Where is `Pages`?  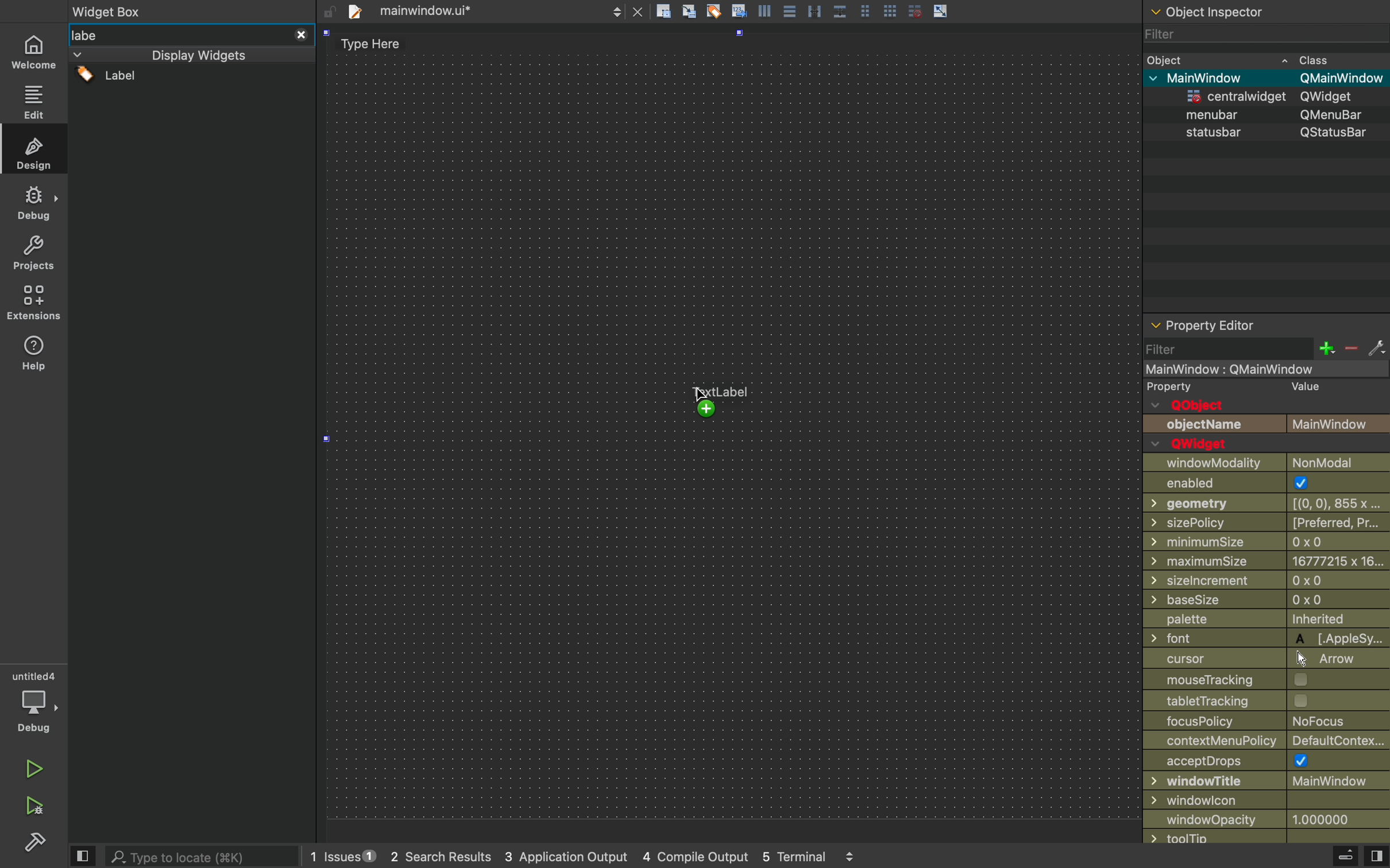
Pages is located at coordinates (791, 13).